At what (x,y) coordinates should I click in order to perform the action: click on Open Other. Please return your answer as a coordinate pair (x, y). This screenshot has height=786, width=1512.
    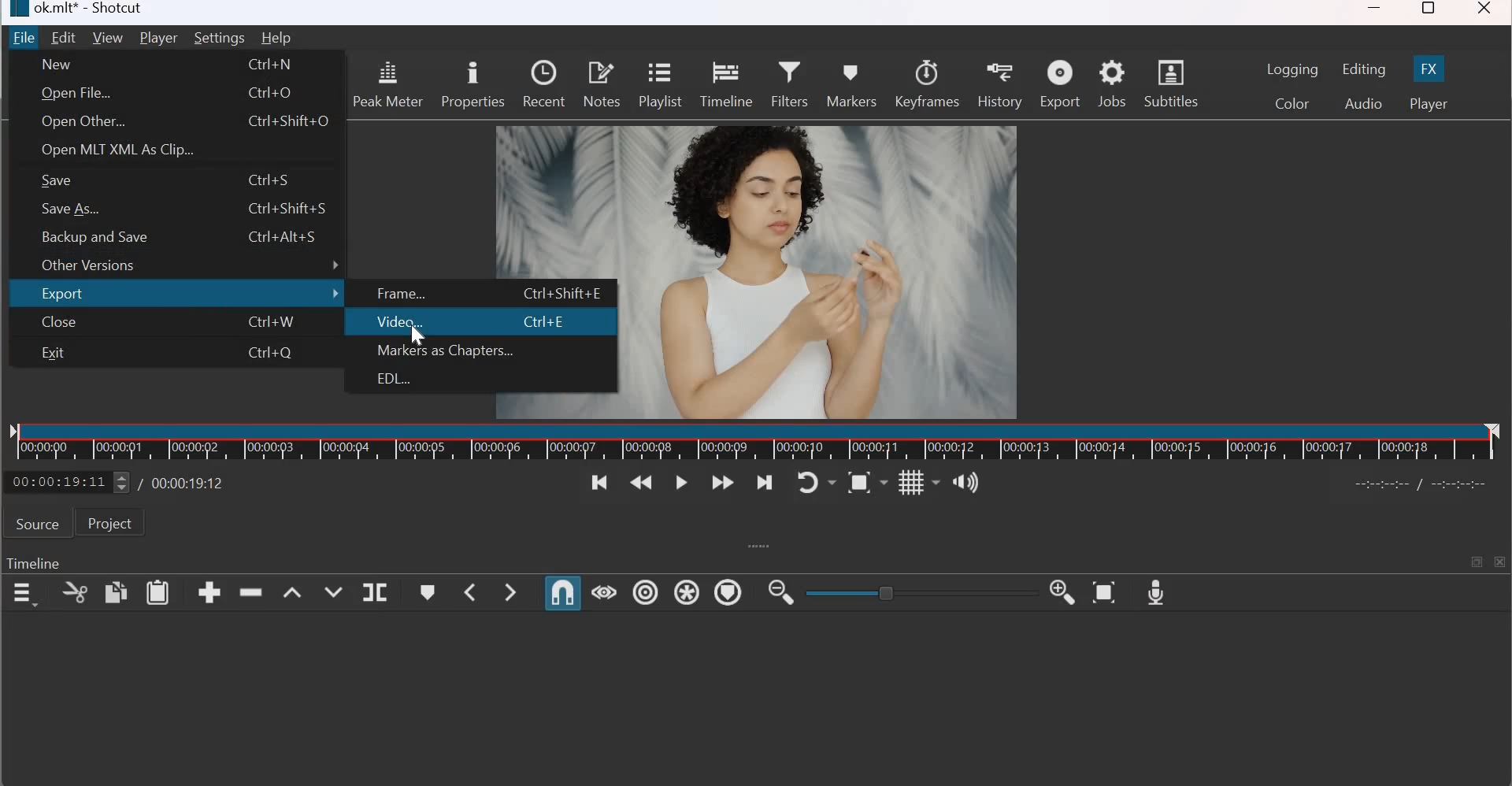
    Looking at the image, I should click on (83, 122).